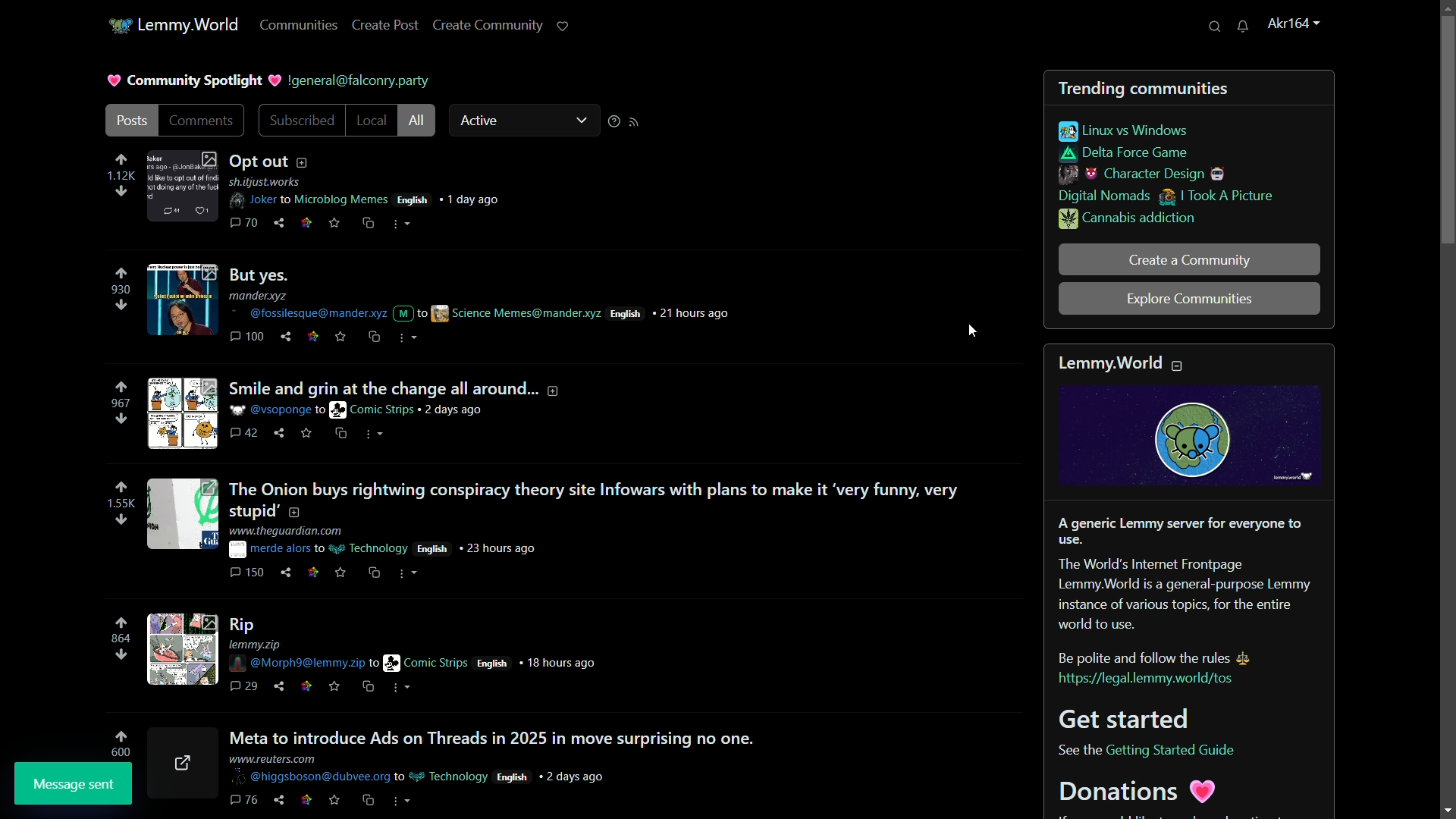 This screenshot has height=819, width=1456. I want to click on linux vs windows, so click(1125, 130).